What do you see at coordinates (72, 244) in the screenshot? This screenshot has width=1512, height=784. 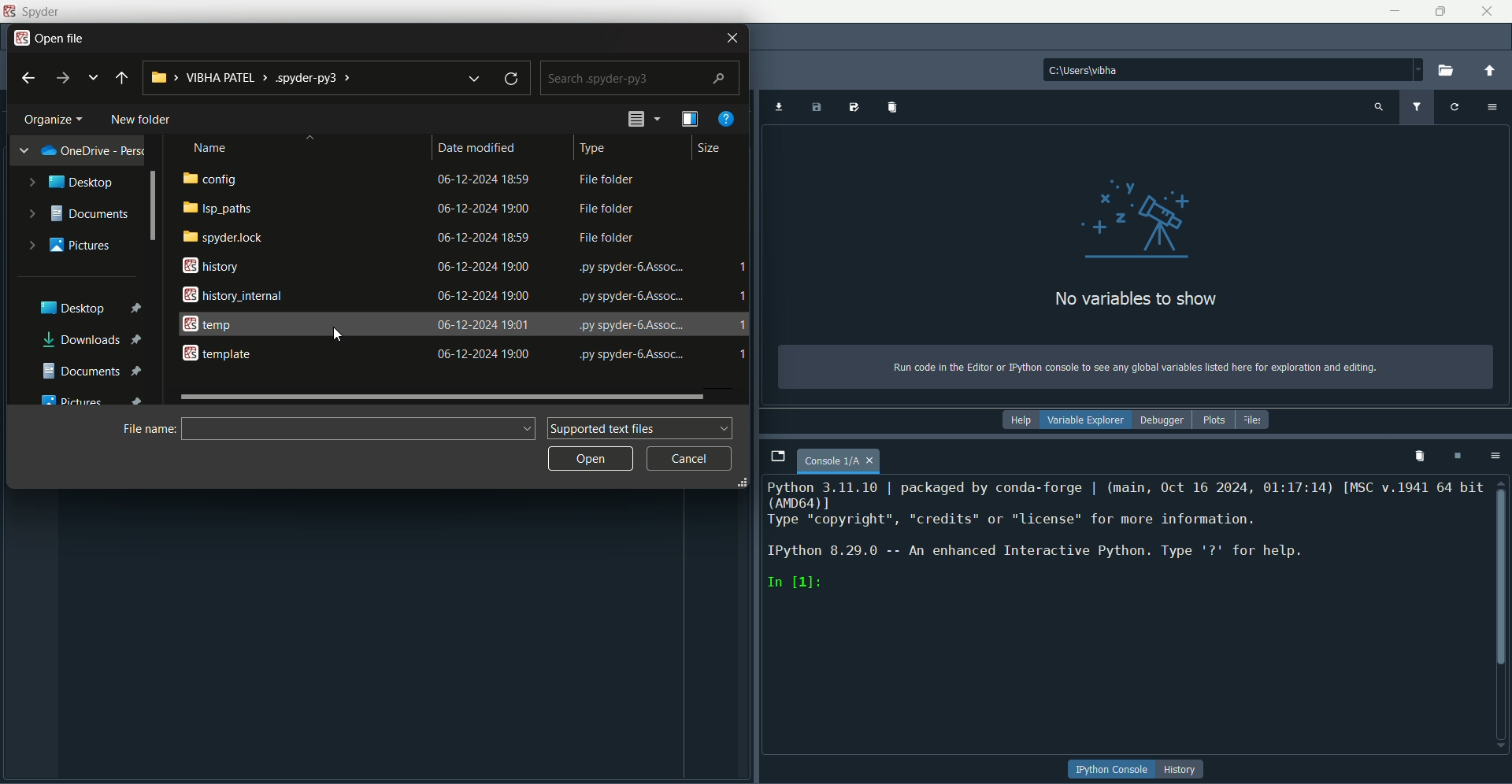 I see `pictures` at bounding box center [72, 244].